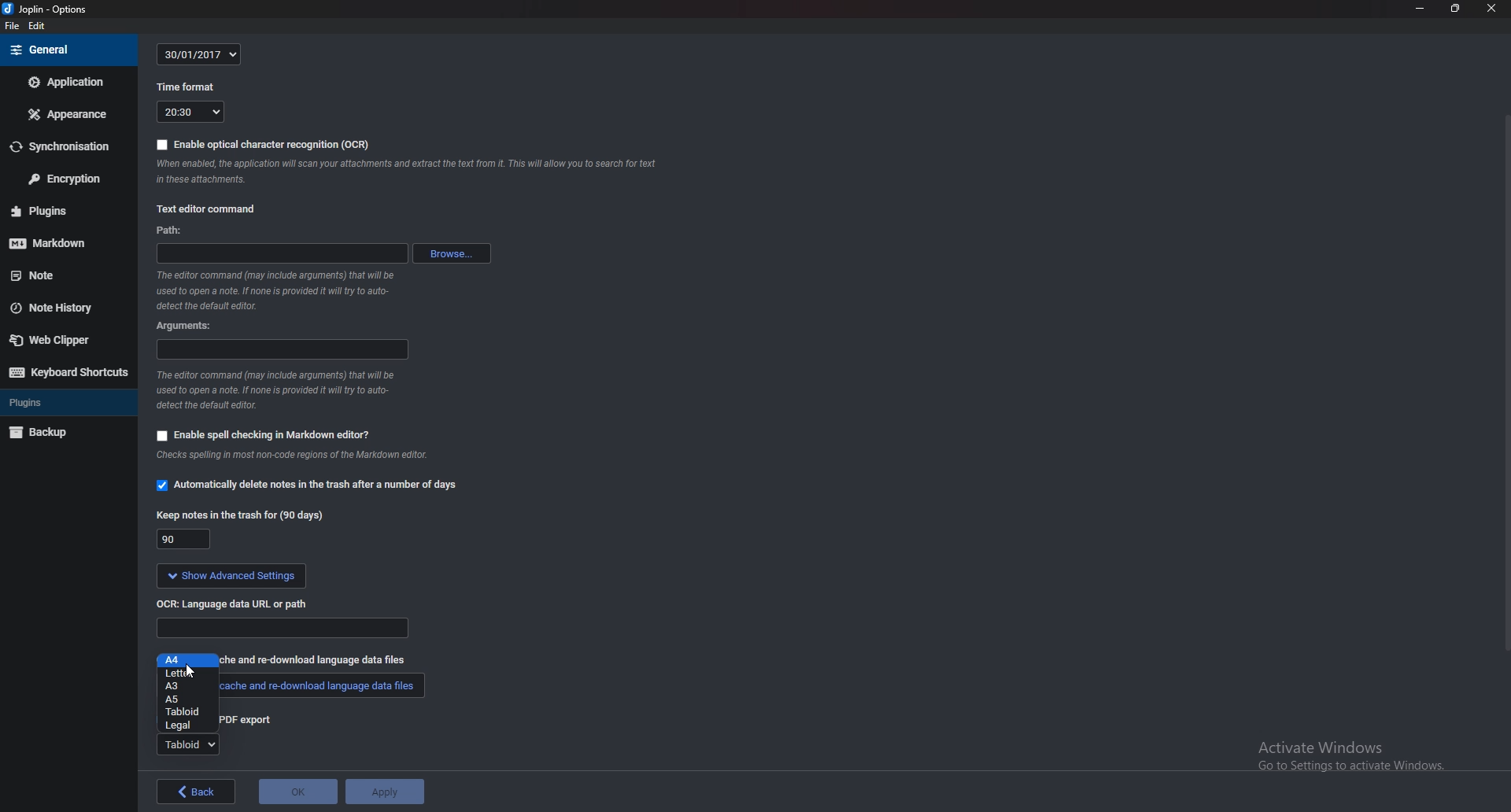 This screenshot has width=1511, height=812. Describe the element at coordinates (64, 179) in the screenshot. I see `Encryption` at that location.